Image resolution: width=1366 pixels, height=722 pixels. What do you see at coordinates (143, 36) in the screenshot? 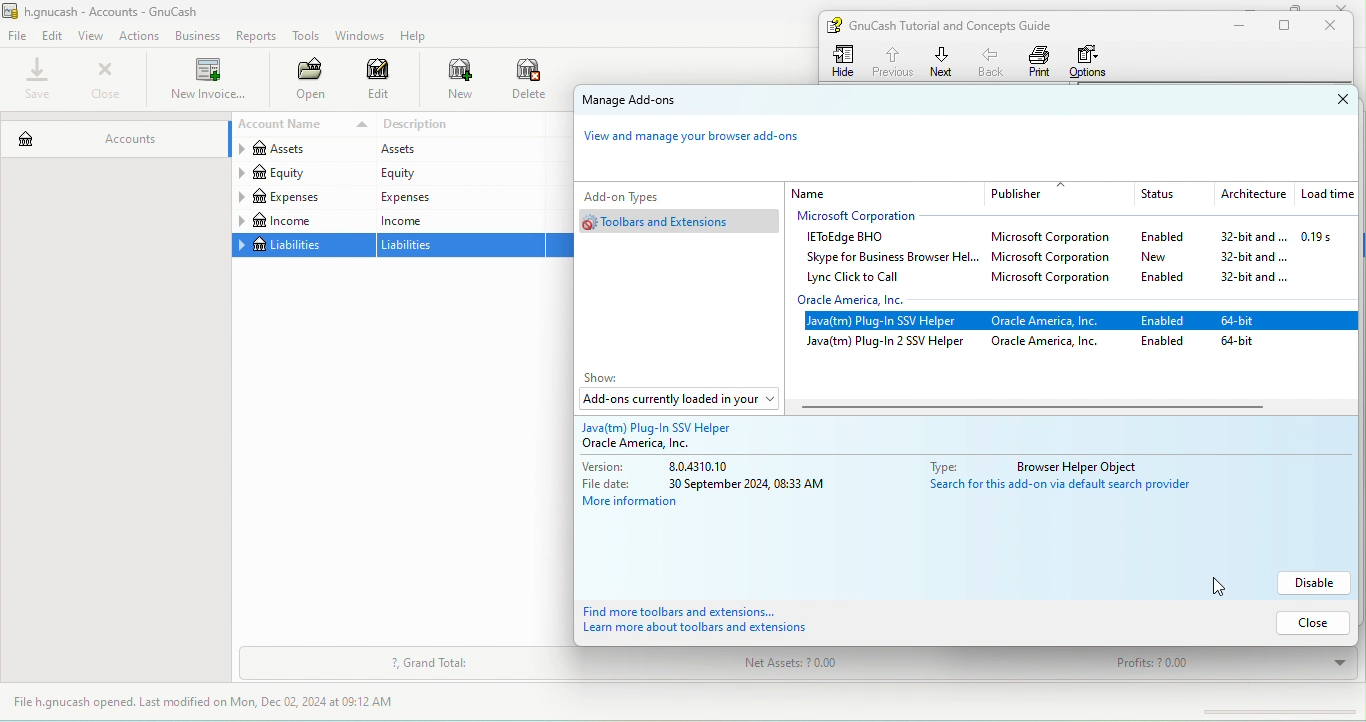
I see `actions` at bounding box center [143, 36].